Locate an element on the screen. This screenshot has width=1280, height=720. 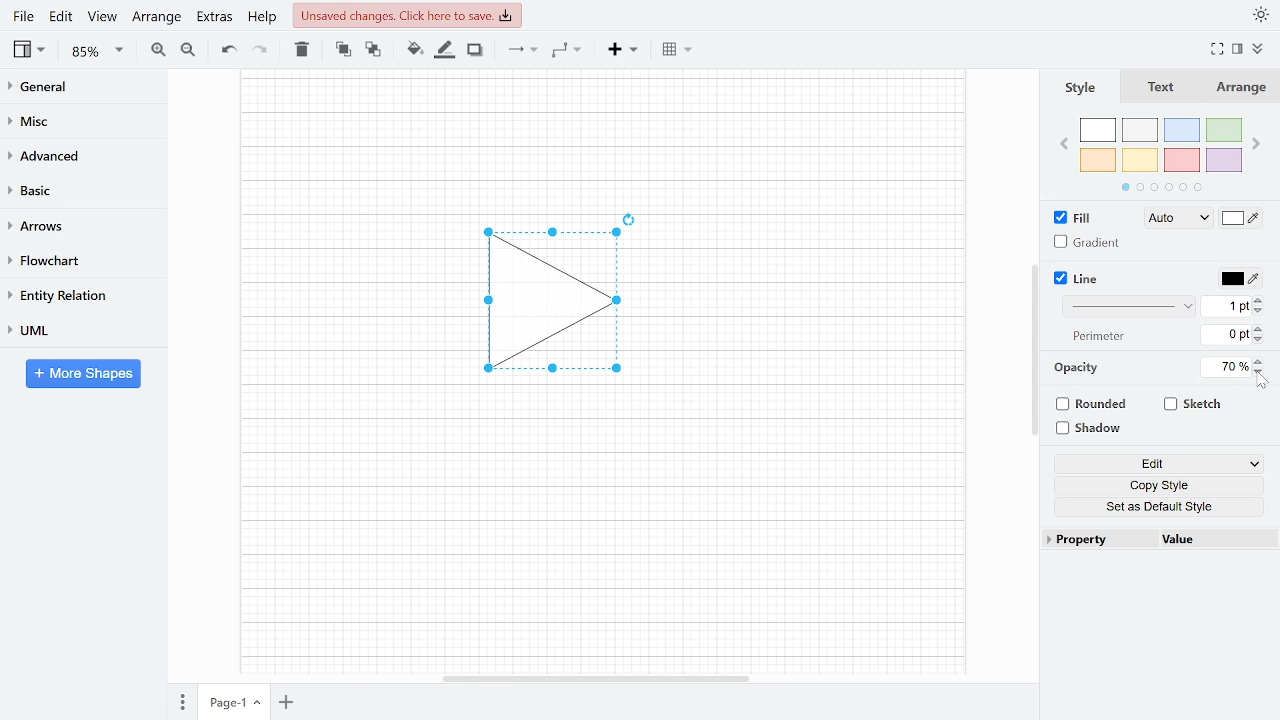
basic is located at coordinates (76, 189).